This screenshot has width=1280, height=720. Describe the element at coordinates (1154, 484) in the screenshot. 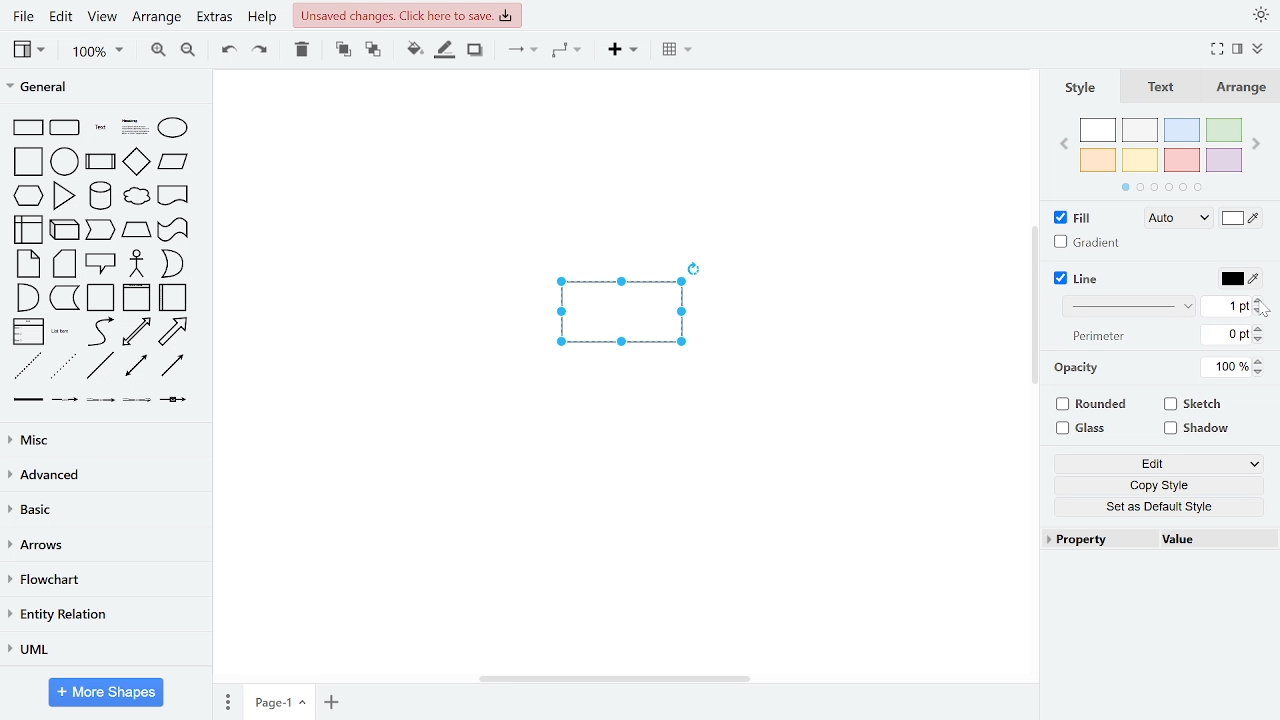

I see `copy style` at that location.